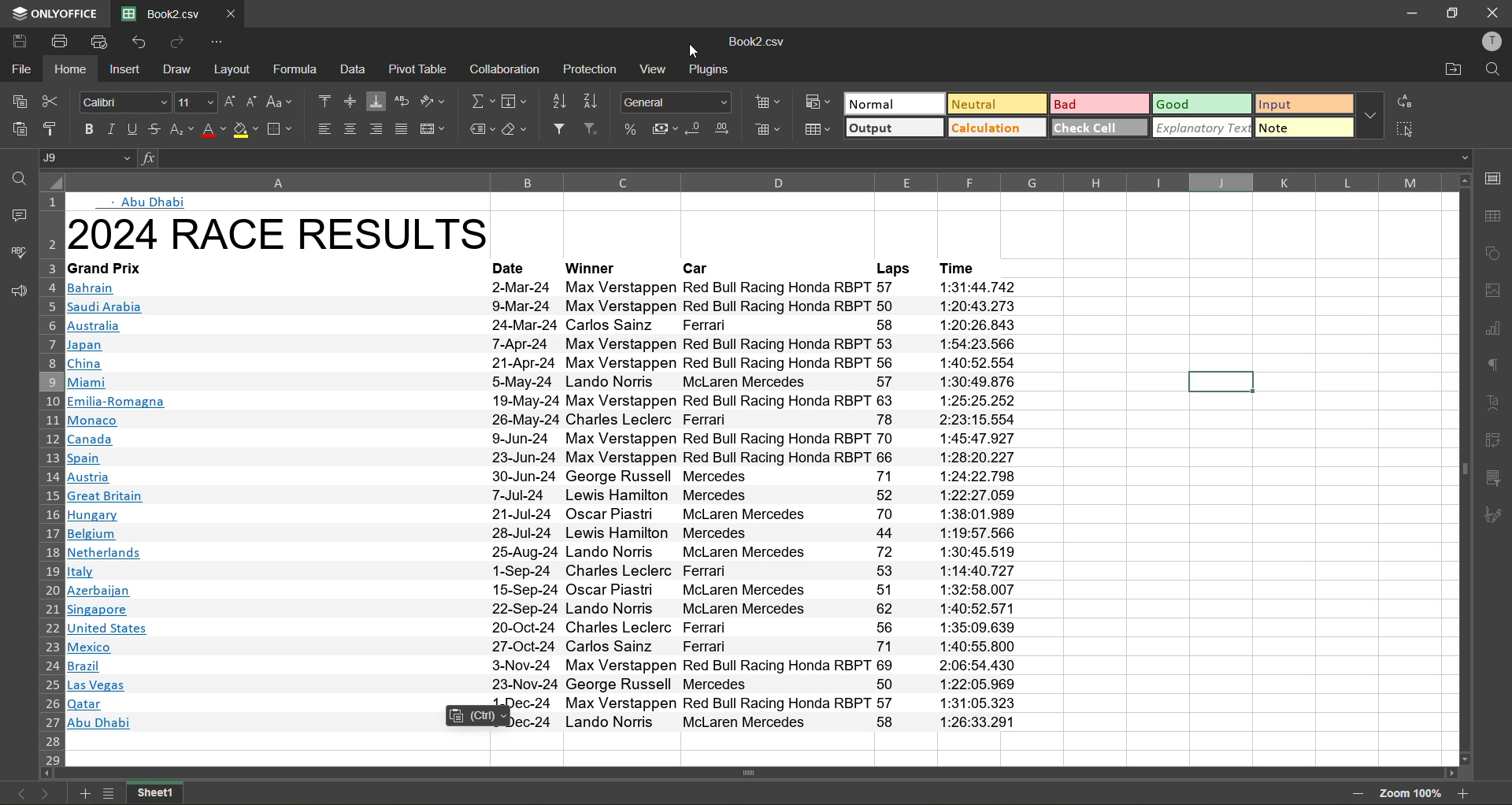 This screenshot has height=805, width=1512. I want to click on conditional formatting, so click(821, 102).